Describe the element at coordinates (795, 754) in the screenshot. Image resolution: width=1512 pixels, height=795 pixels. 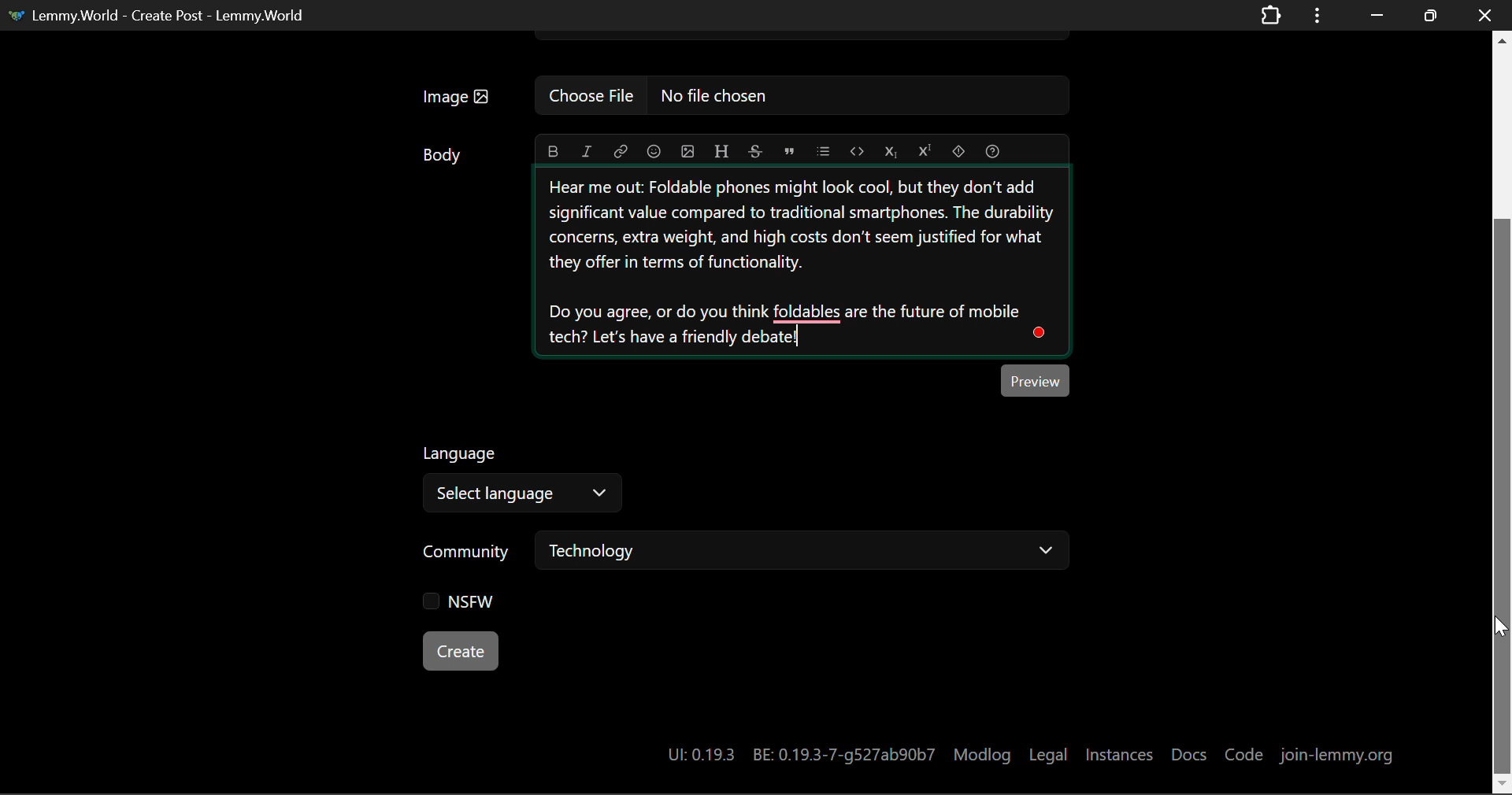
I see `System Details` at that location.